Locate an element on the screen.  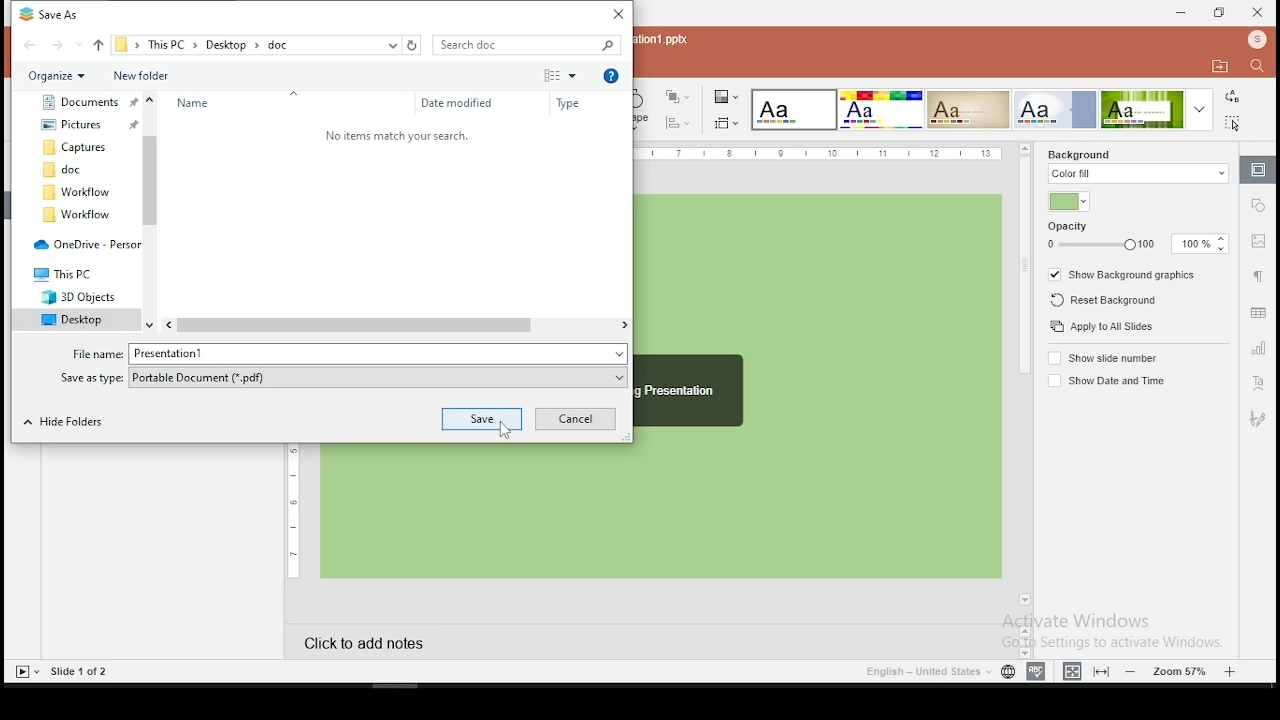
zoom in/zoom out is located at coordinates (1182, 669).